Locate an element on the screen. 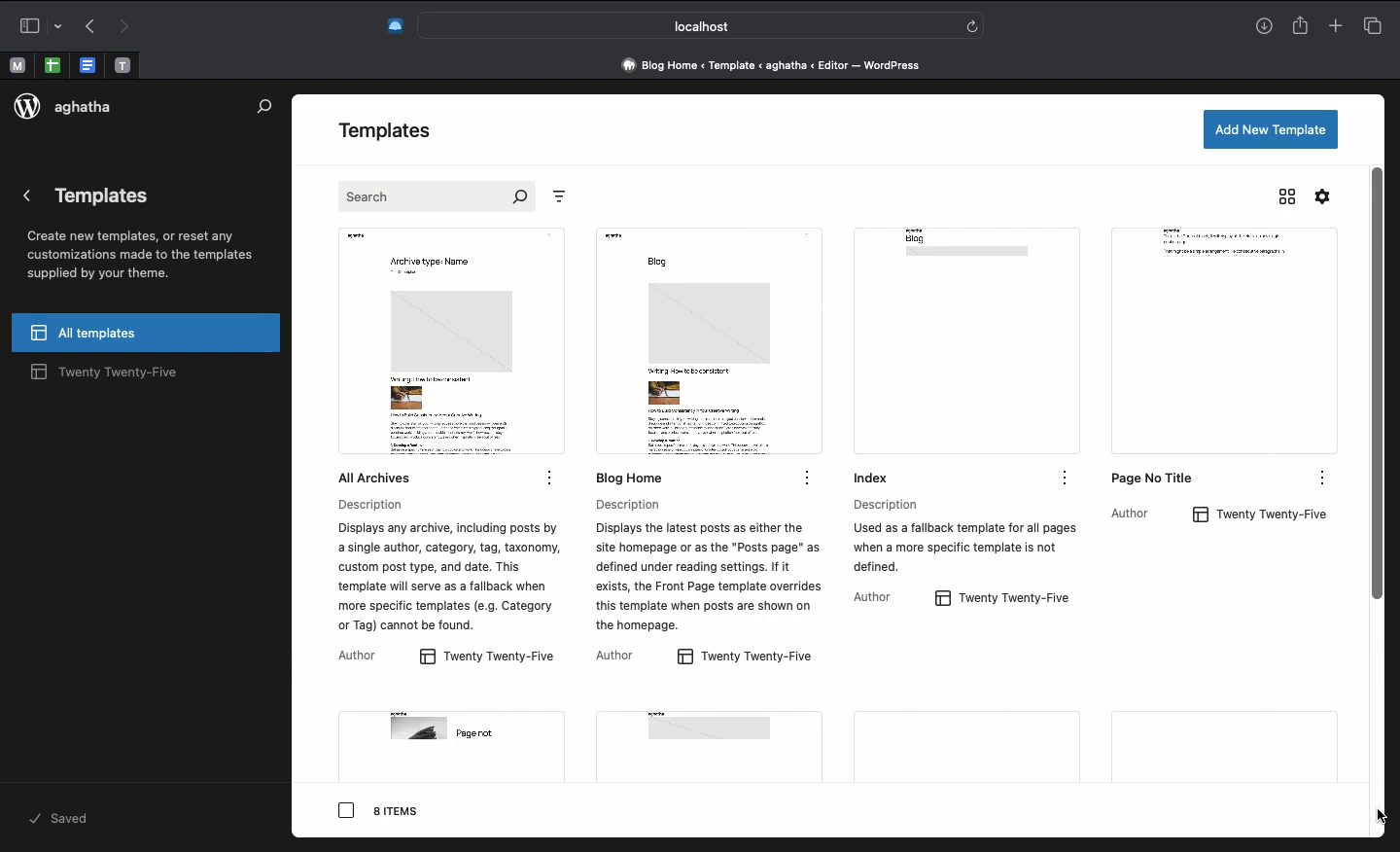 The image size is (1400, 852). Share is located at coordinates (1300, 26).